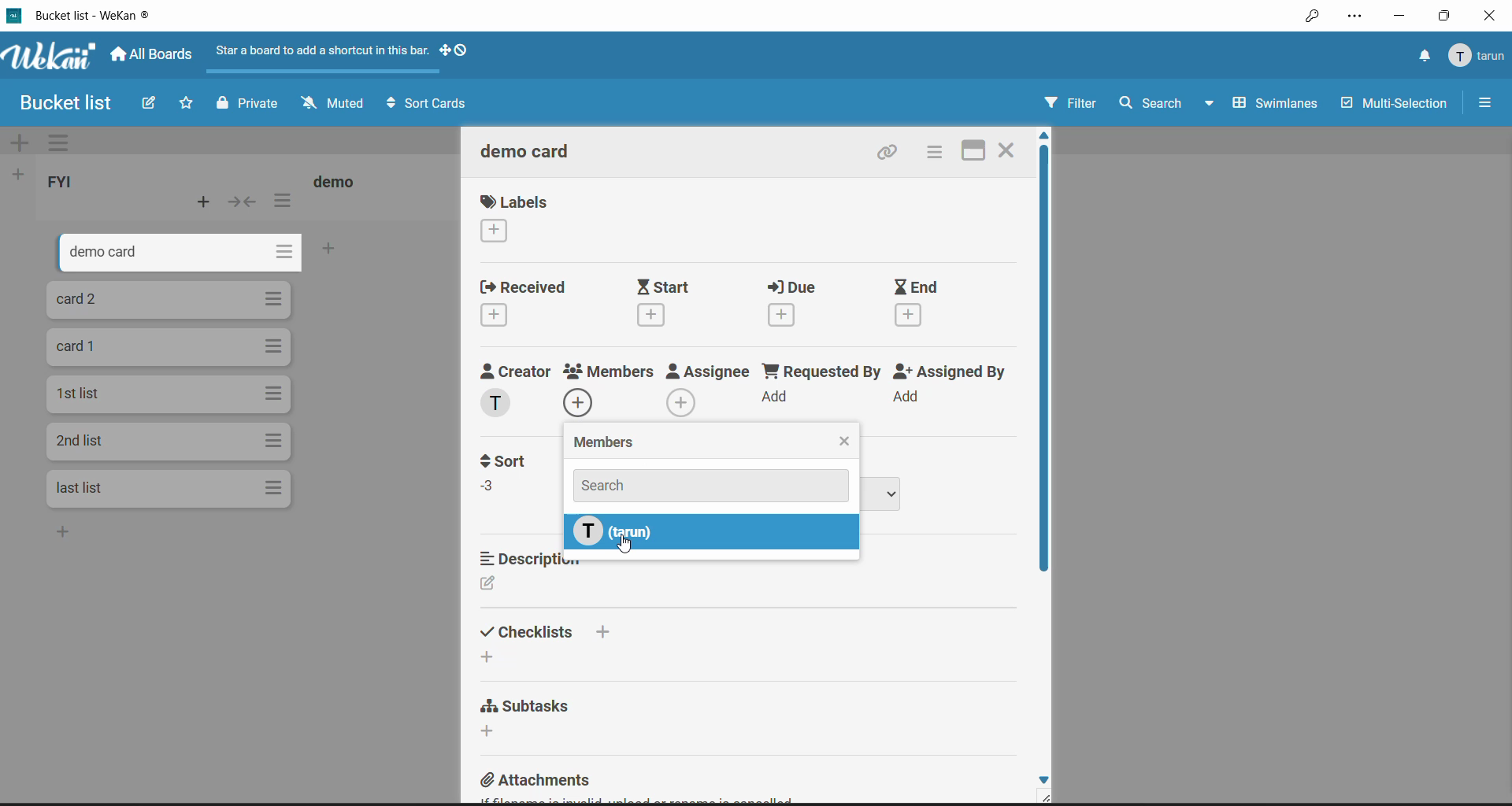 This screenshot has height=806, width=1512. Describe the element at coordinates (84, 394) in the screenshot. I see `card title` at that location.